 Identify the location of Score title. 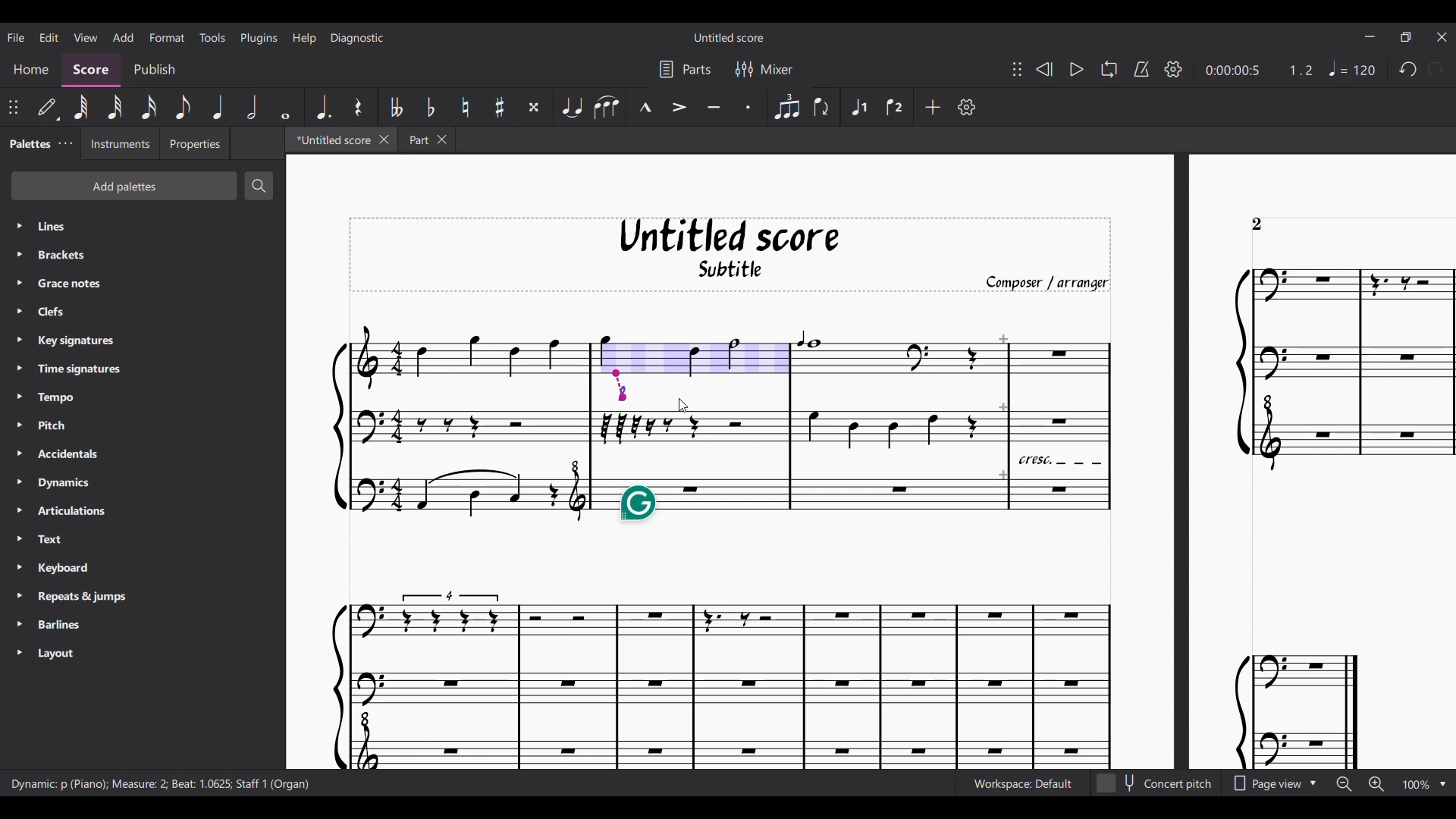
(729, 37).